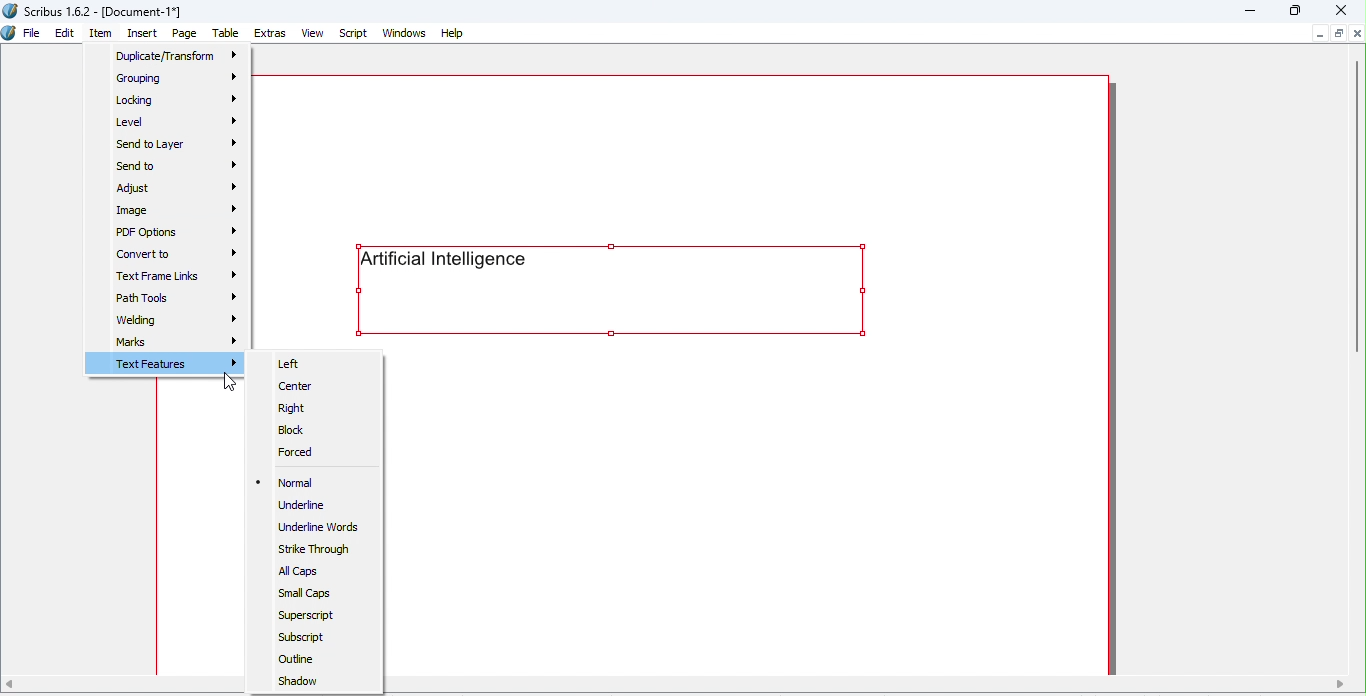 This screenshot has height=696, width=1366. Describe the element at coordinates (181, 320) in the screenshot. I see `Welding` at that location.